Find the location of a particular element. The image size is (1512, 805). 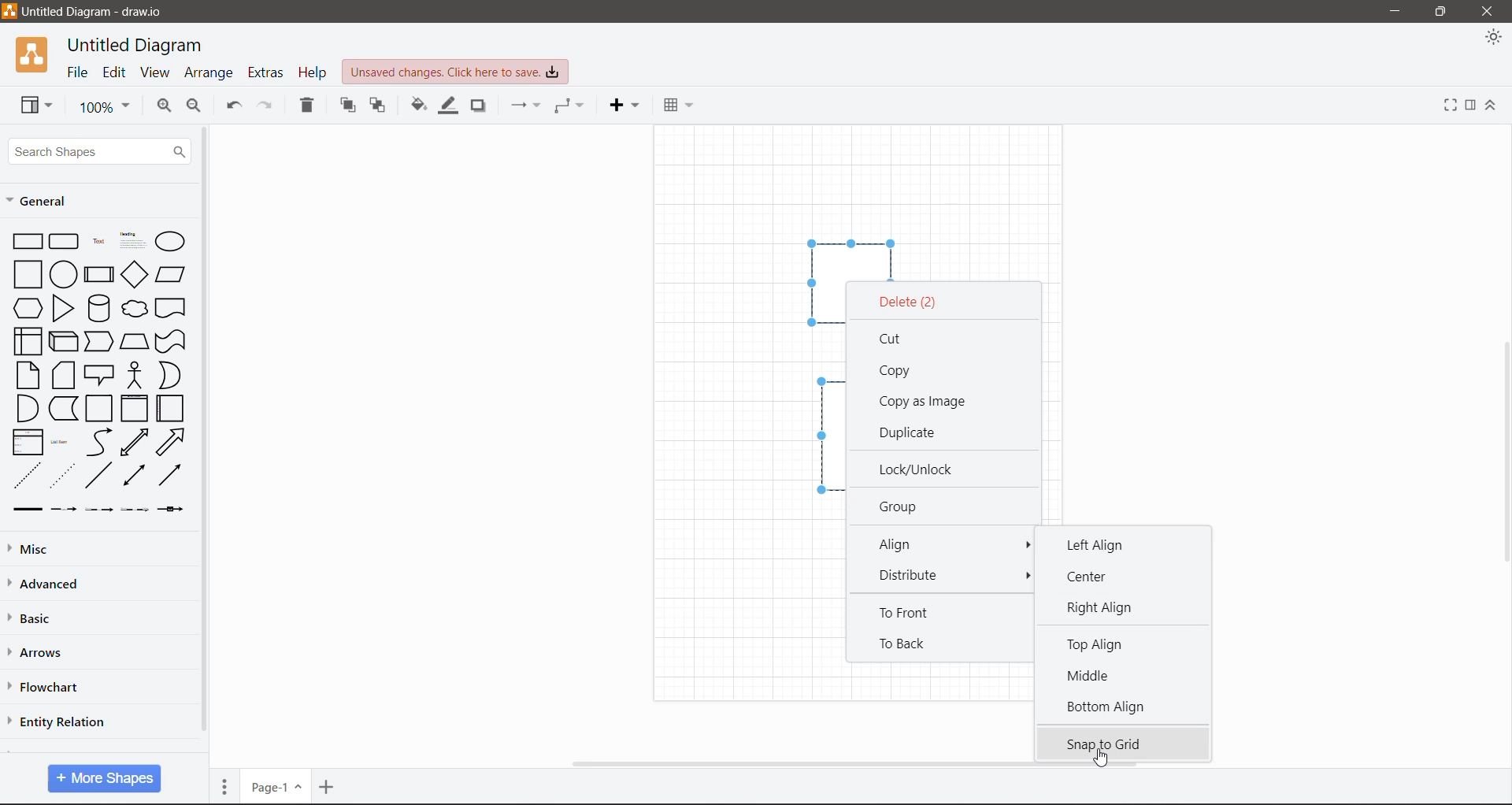

Vertical Scroll Bar is located at coordinates (1503, 453).